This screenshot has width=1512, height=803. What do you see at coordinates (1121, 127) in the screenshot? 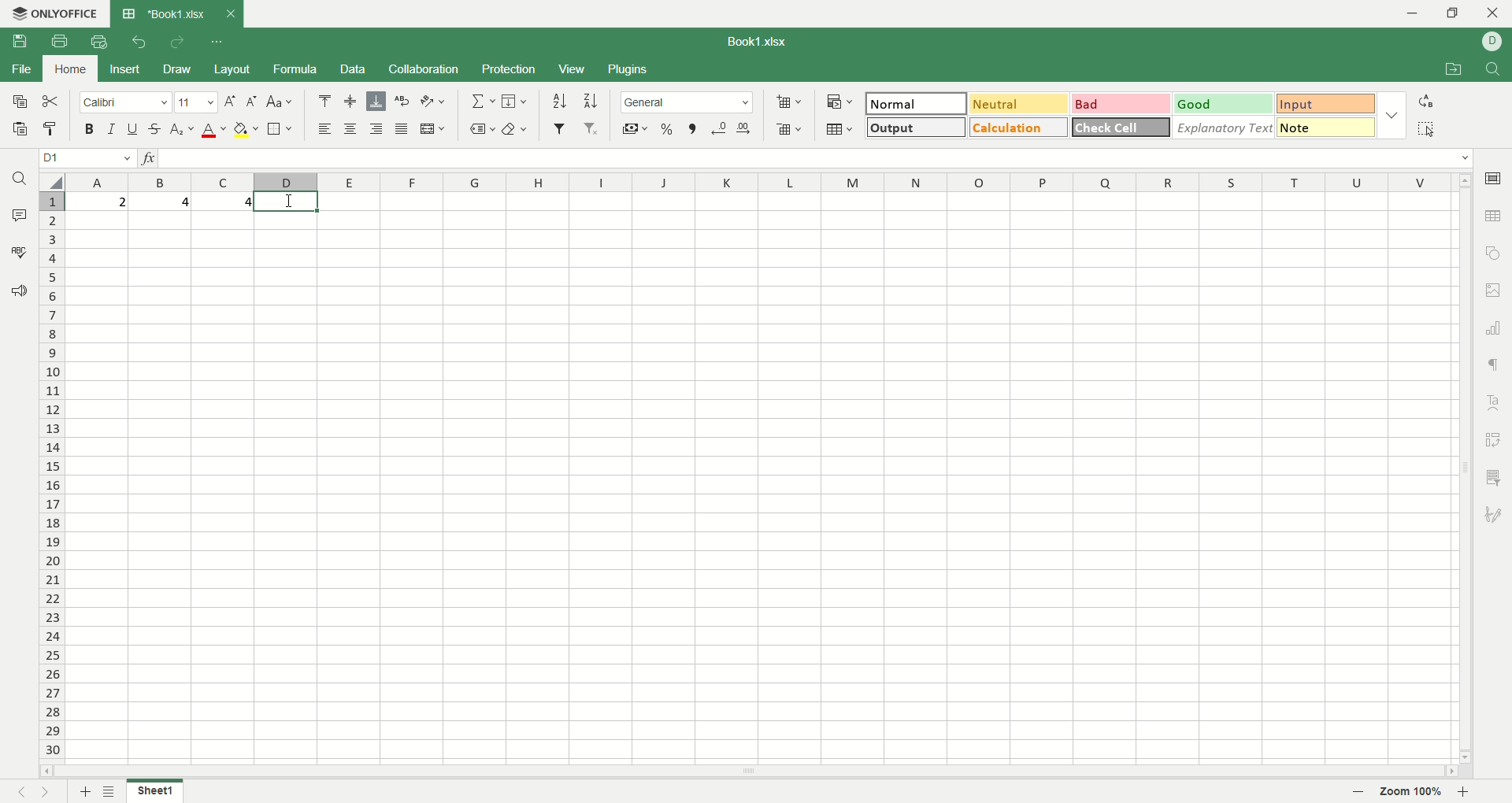
I see `check cell` at bounding box center [1121, 127].